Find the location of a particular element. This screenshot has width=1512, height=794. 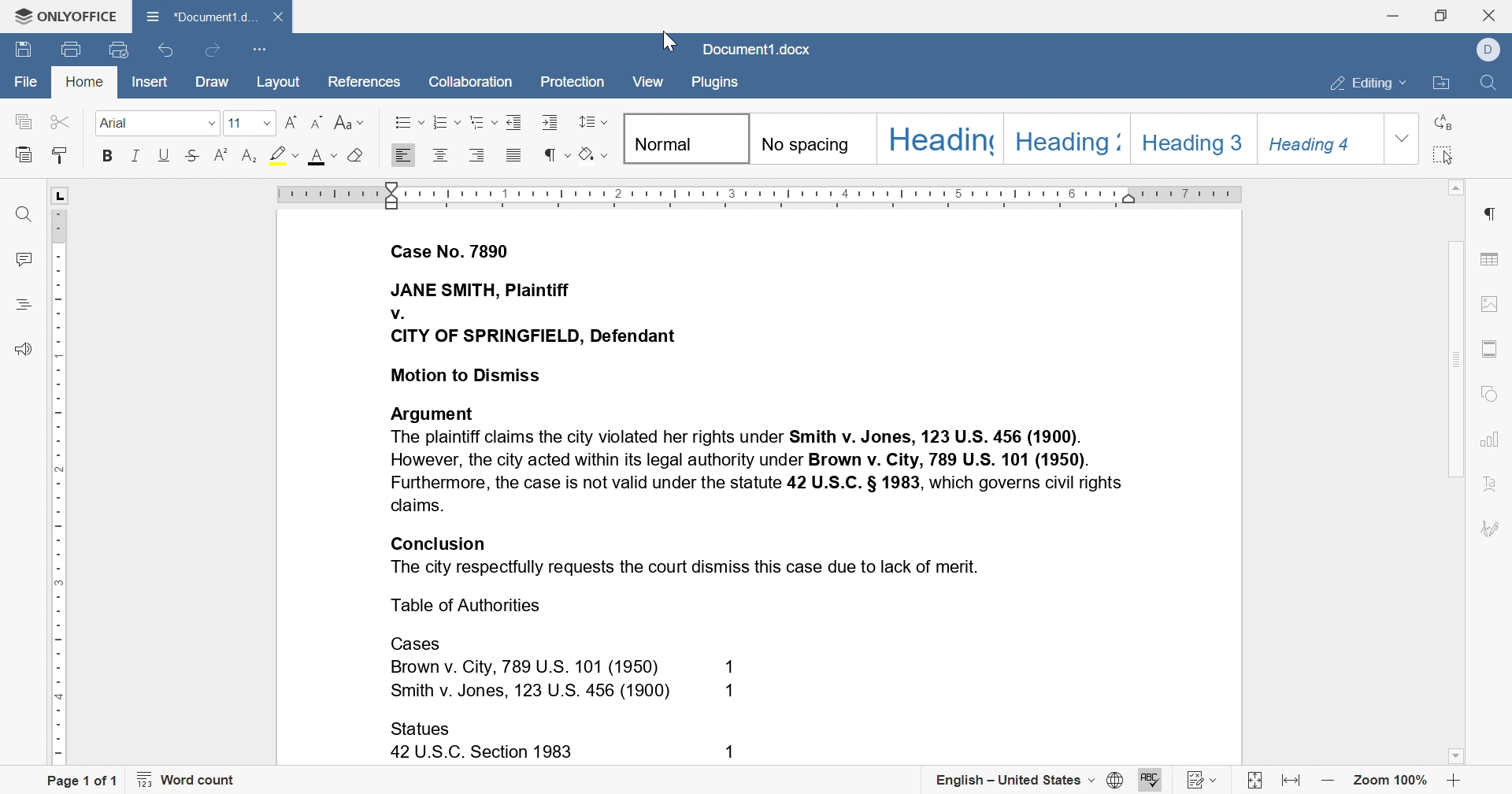

replace is located at coordinates (1444, 121).